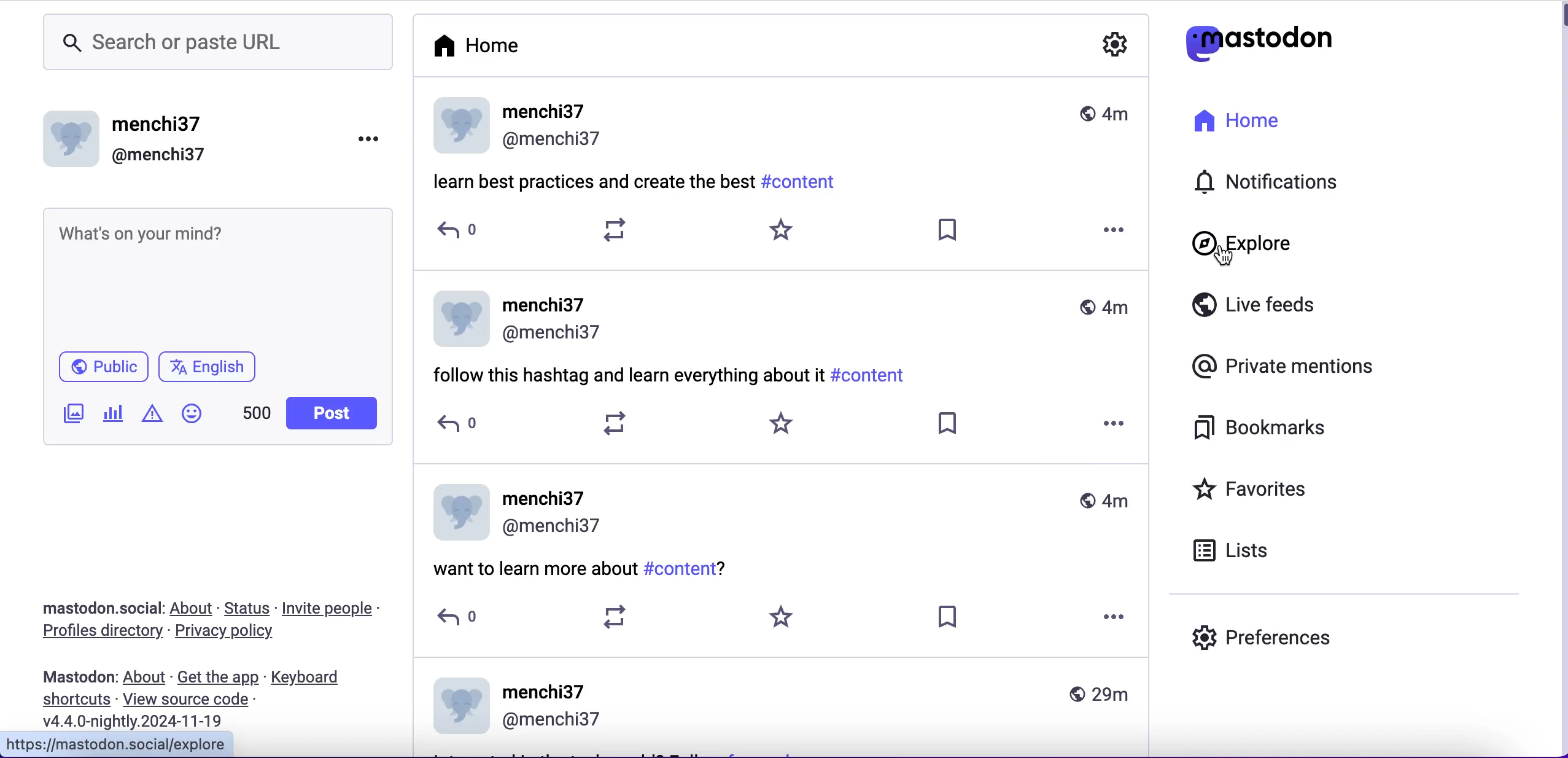 The width and height of the screenshot is (1568, 758). I want to click on about, so click(145, 678).